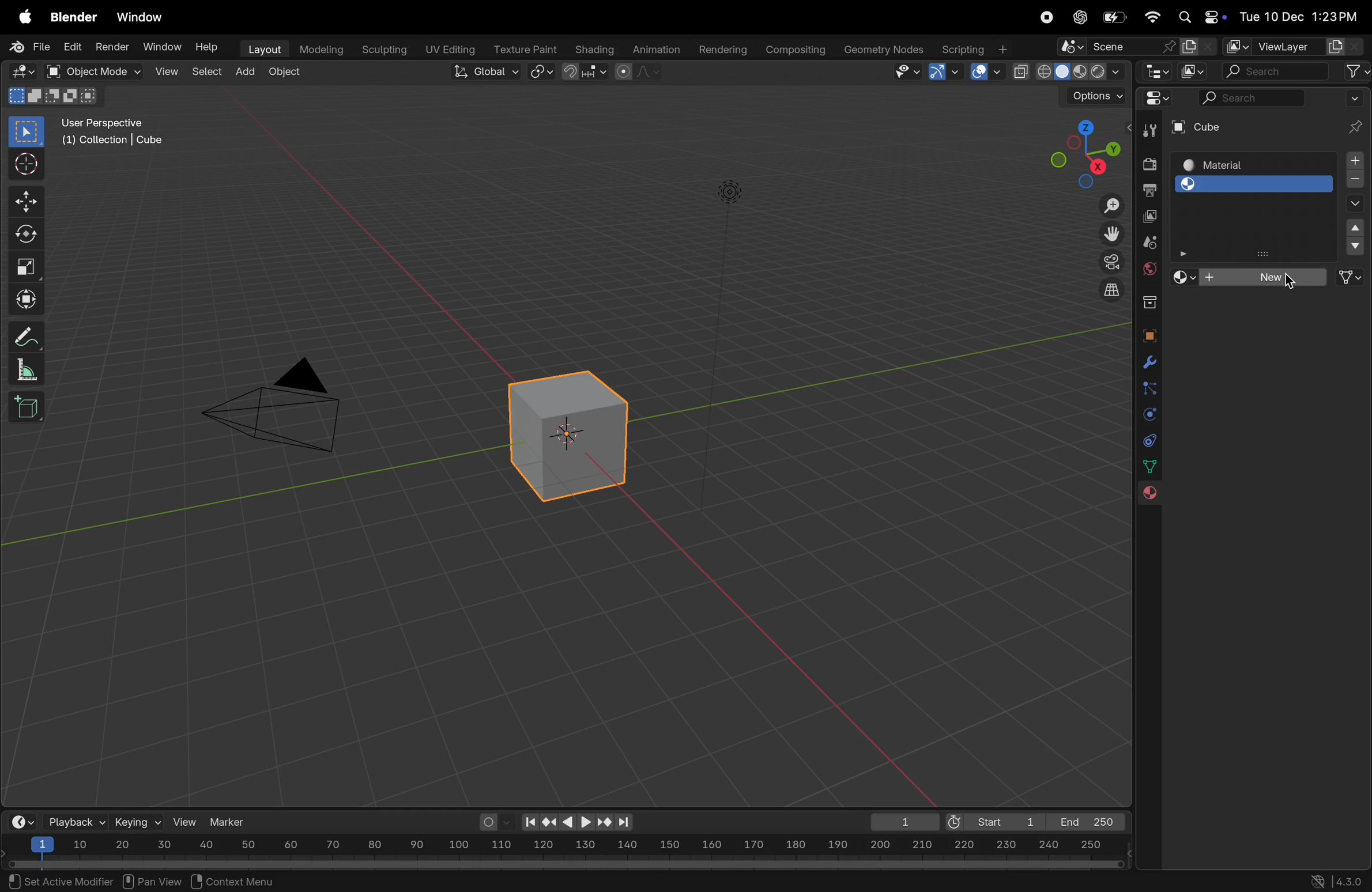 This screenshot has height=892, width=1372. I want to click on object, so click(285, 73).